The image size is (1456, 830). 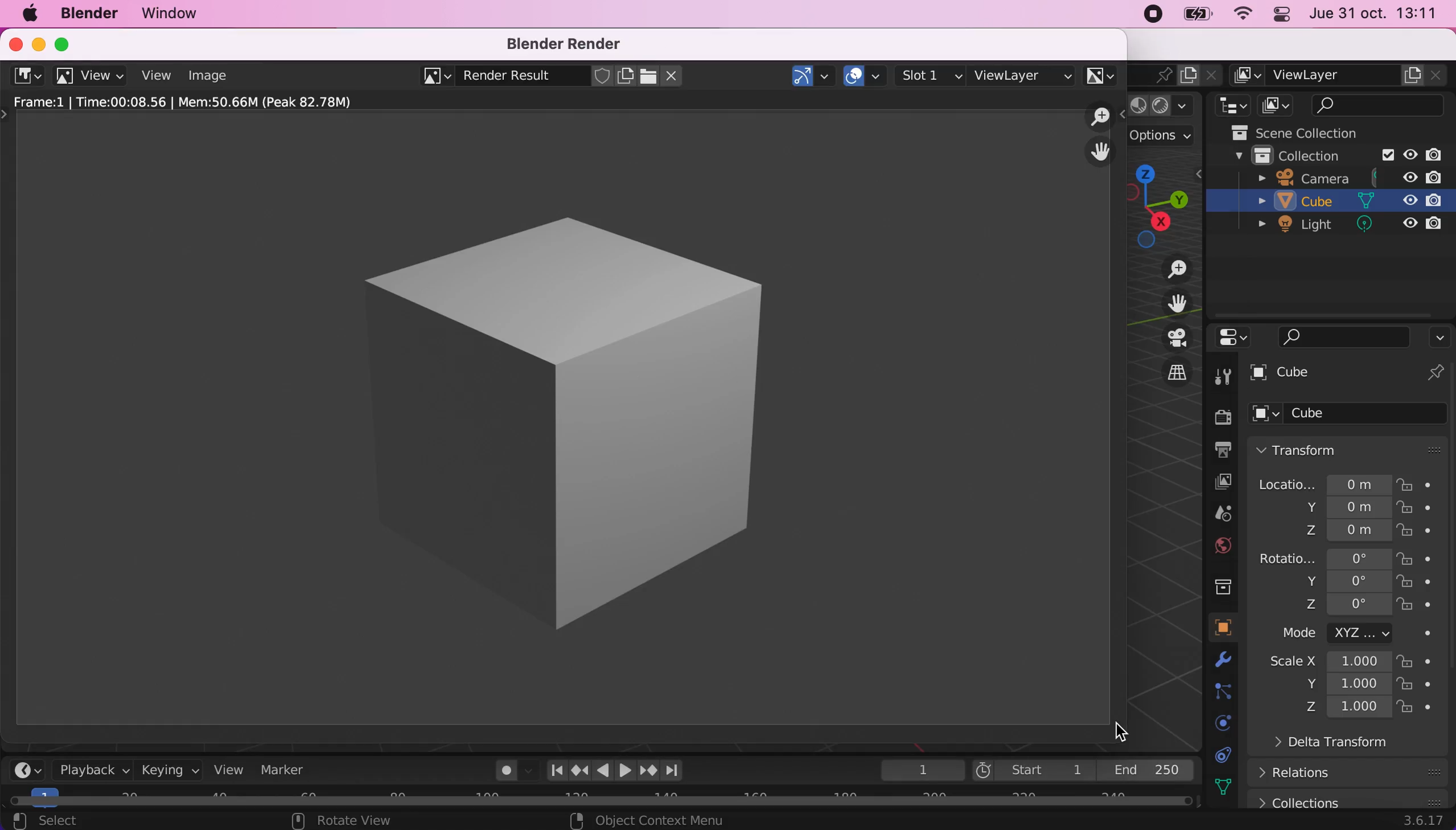 What do you see at coordinates (1335, 337) in the screenshot?
I see `search bar` at bounding box center [1335, 337].